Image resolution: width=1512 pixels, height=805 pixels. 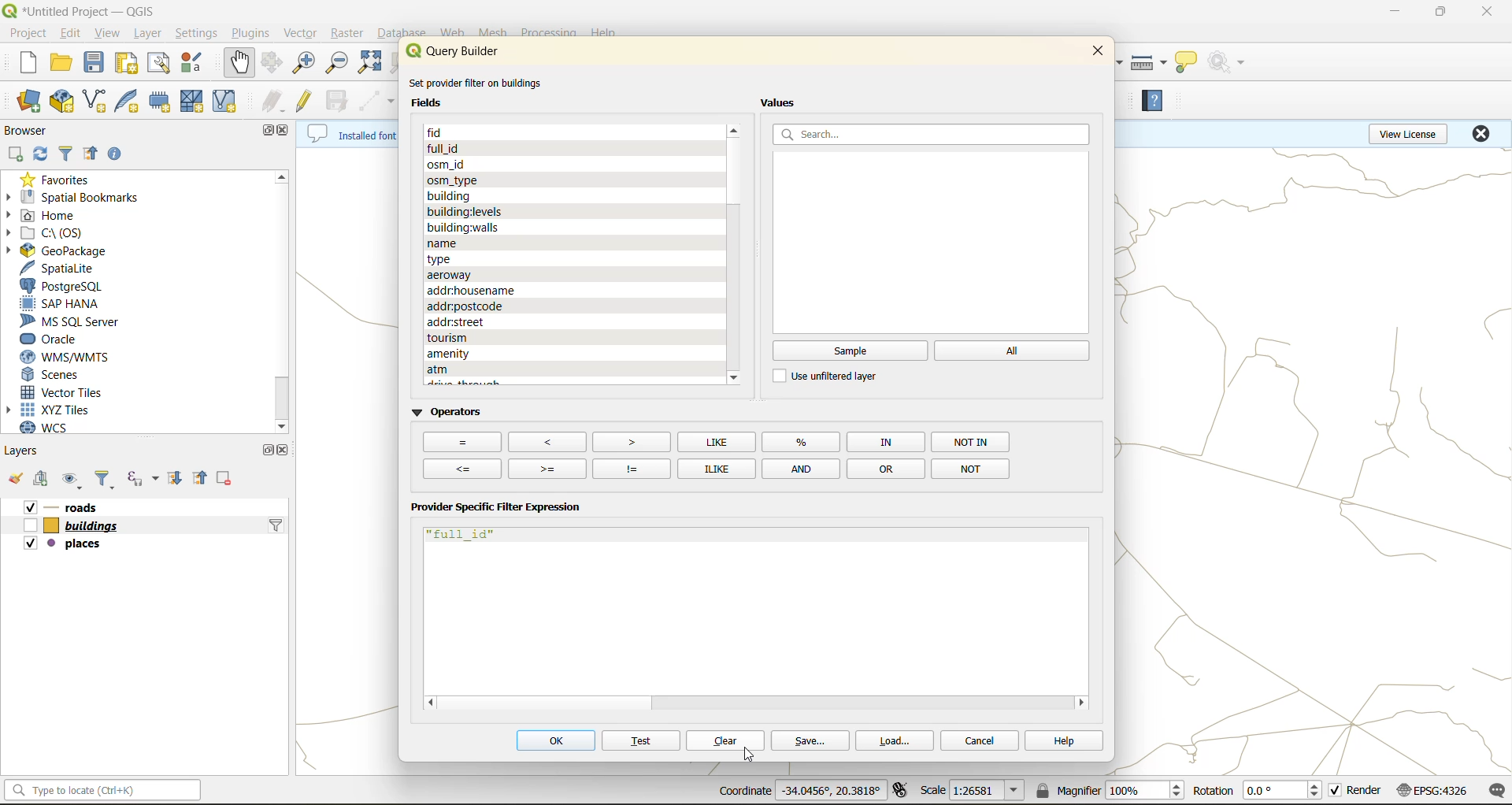 What do you see at coordinates (286, 450) in the screenshot?
I see `close` at bounding box center [286, 450].